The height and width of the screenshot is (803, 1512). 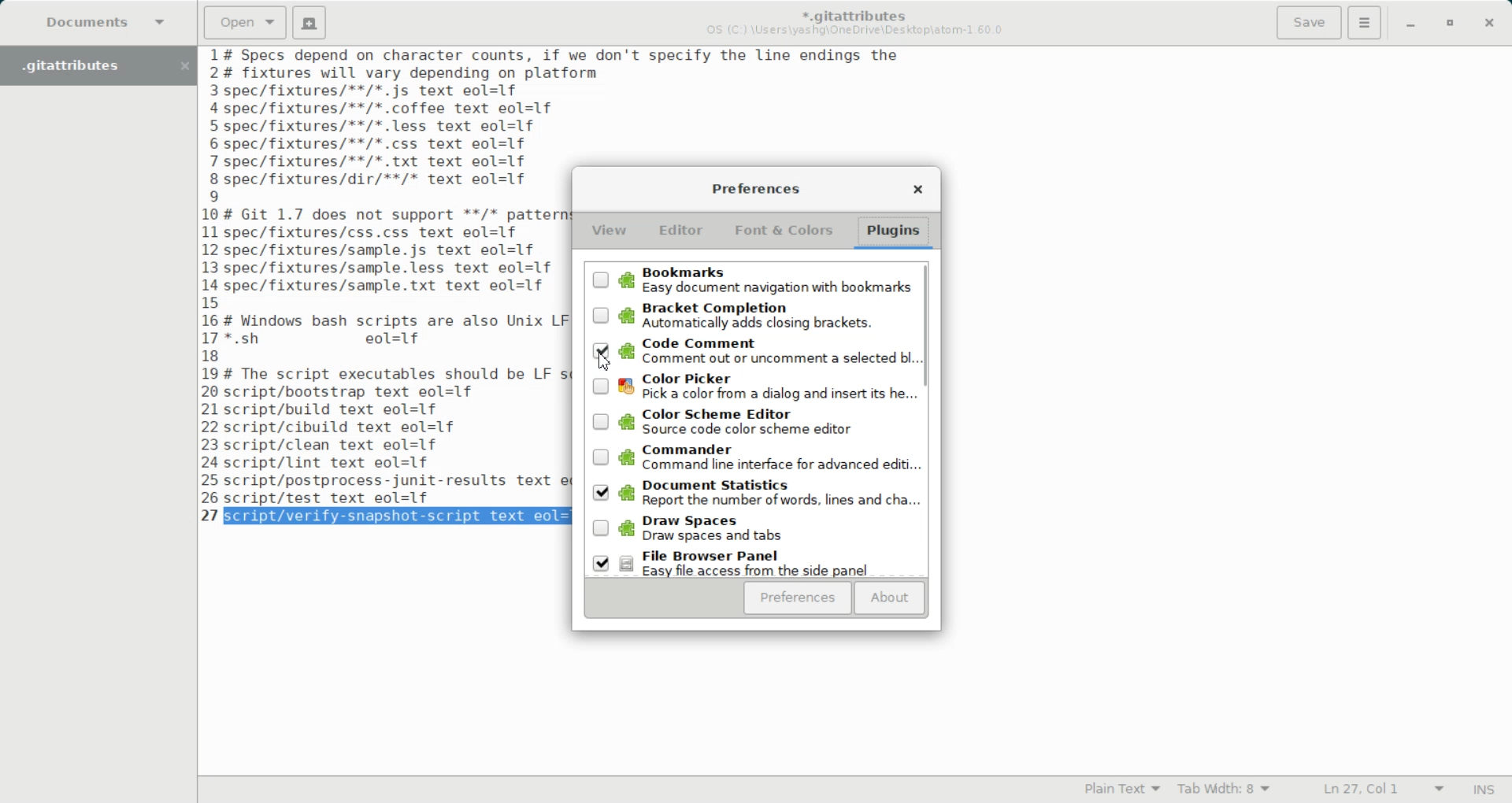 I want to click on text line number: 27, so click(x=212, y=515).